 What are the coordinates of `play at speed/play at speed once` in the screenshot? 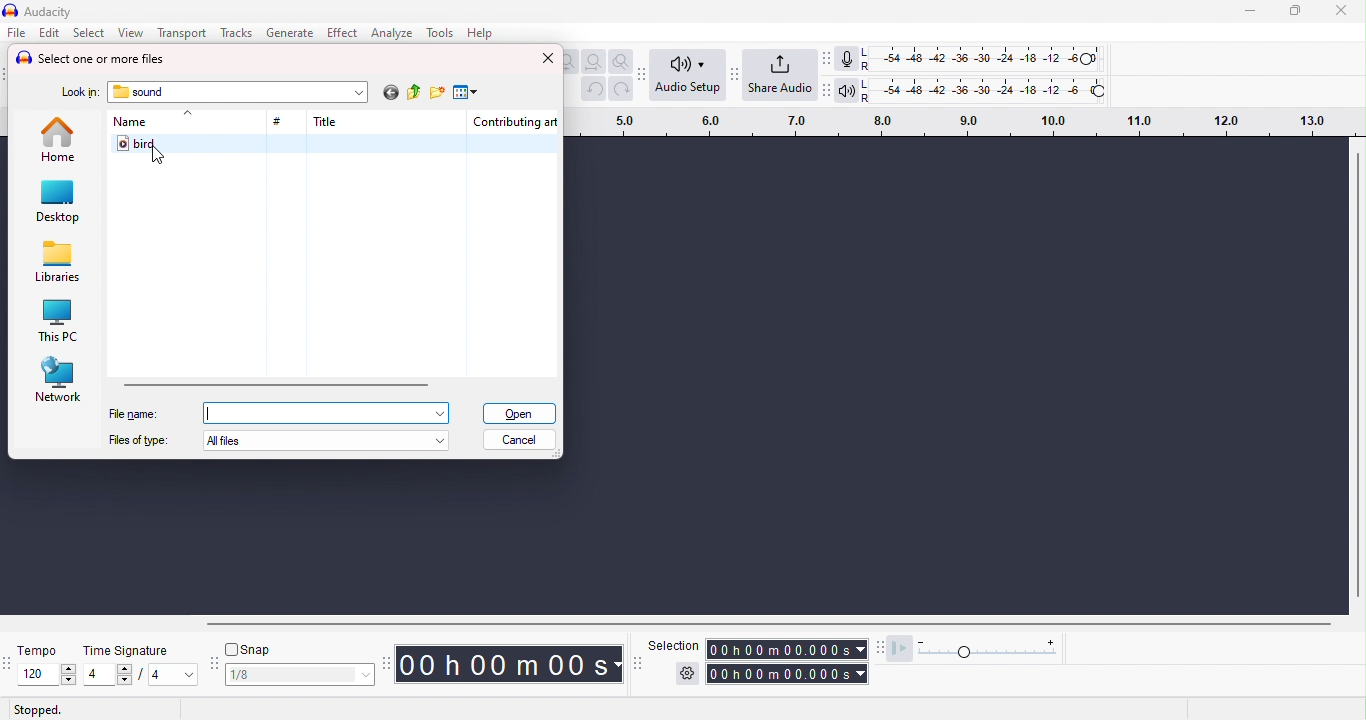 It's located at (904, 648).